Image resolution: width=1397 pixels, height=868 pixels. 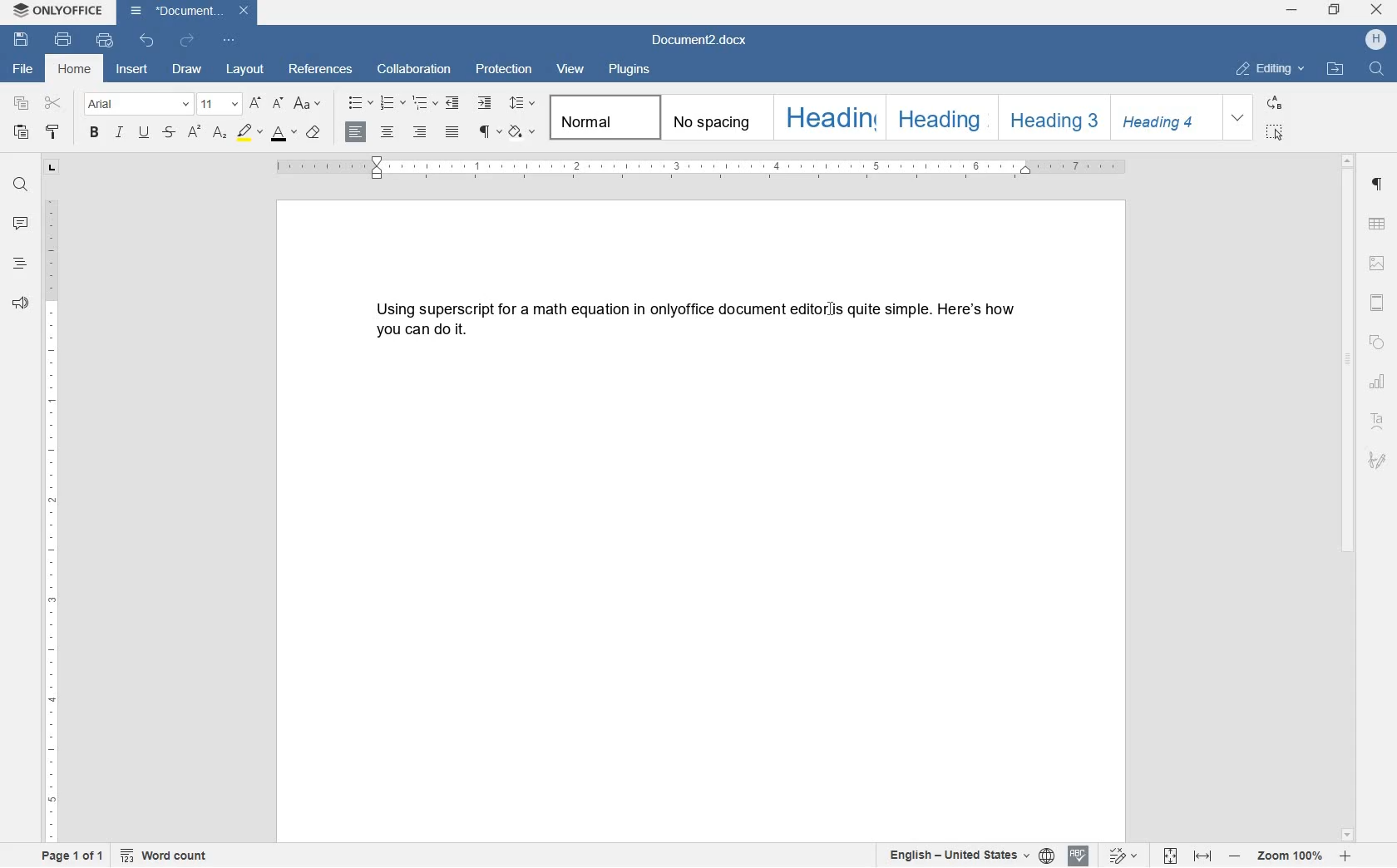 I want to click on references, so click(x=321, y=71).